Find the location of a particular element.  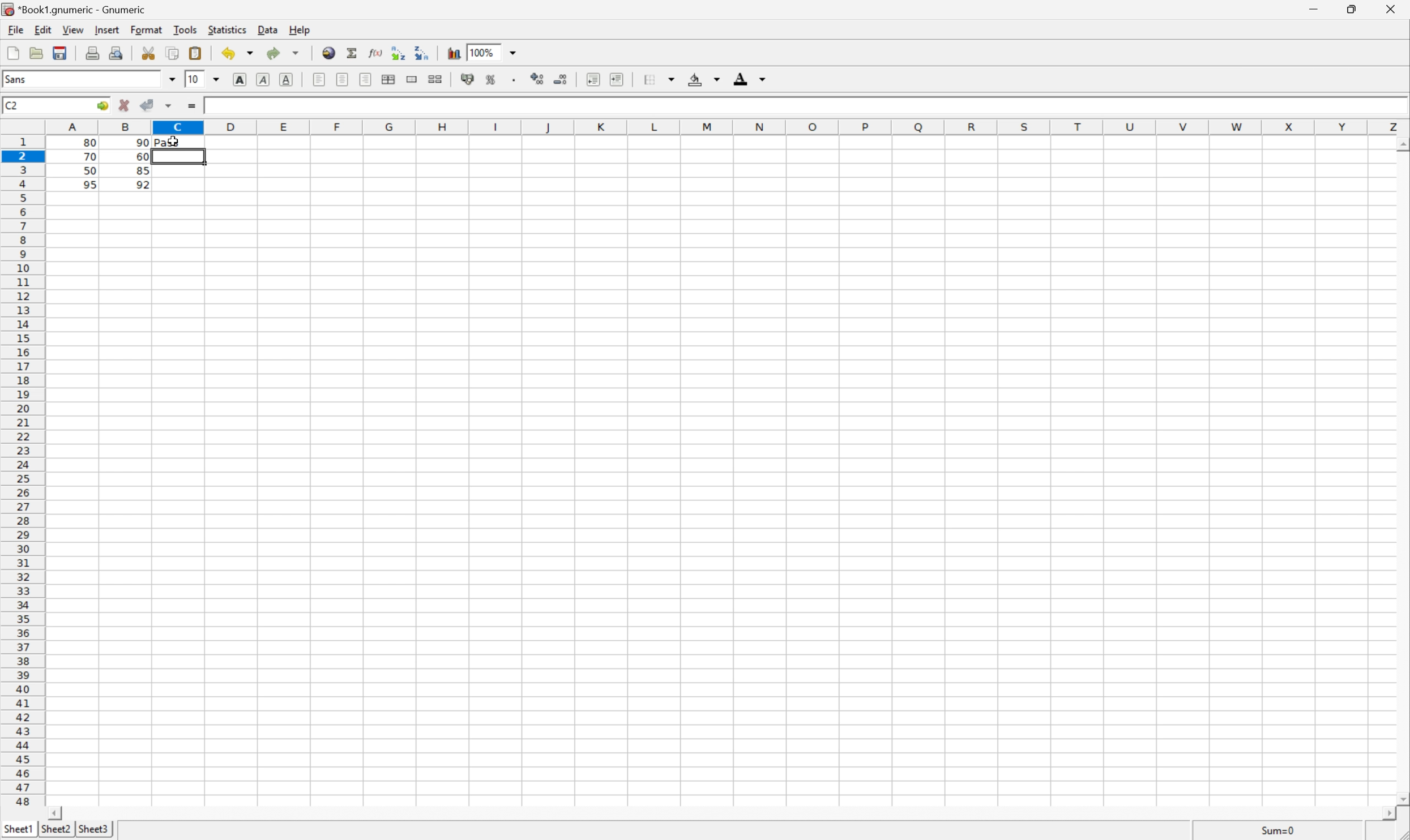

Format the selection as percentage is located at coordinates (493, 78).